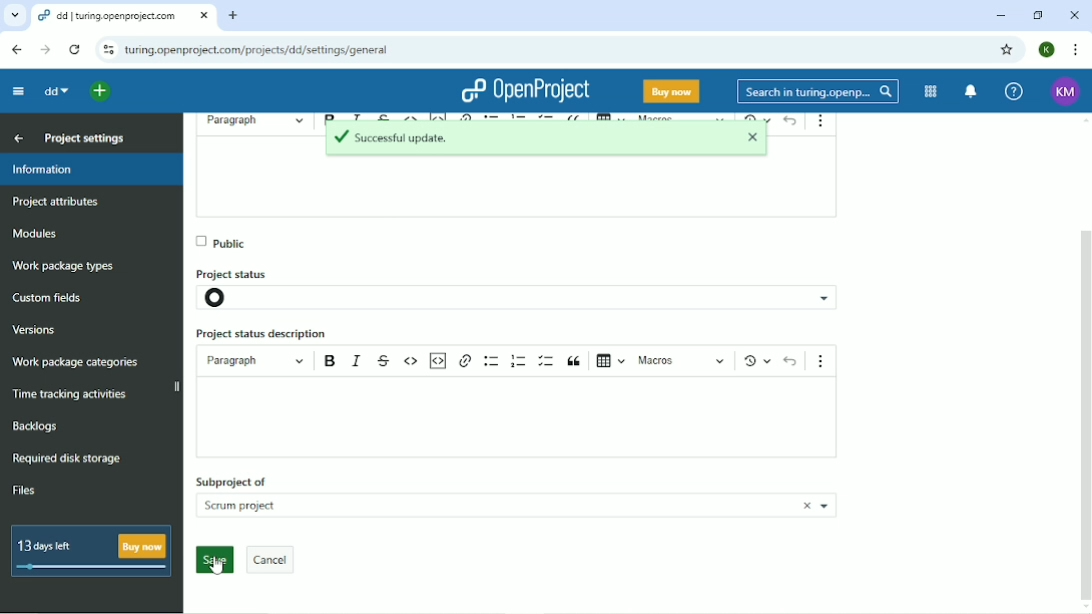 This screenshot has width=1092, height=614. What do you see at coordinates (527, 418) in the screenshot?
I see `text boc` at bounding box center [527, 418].